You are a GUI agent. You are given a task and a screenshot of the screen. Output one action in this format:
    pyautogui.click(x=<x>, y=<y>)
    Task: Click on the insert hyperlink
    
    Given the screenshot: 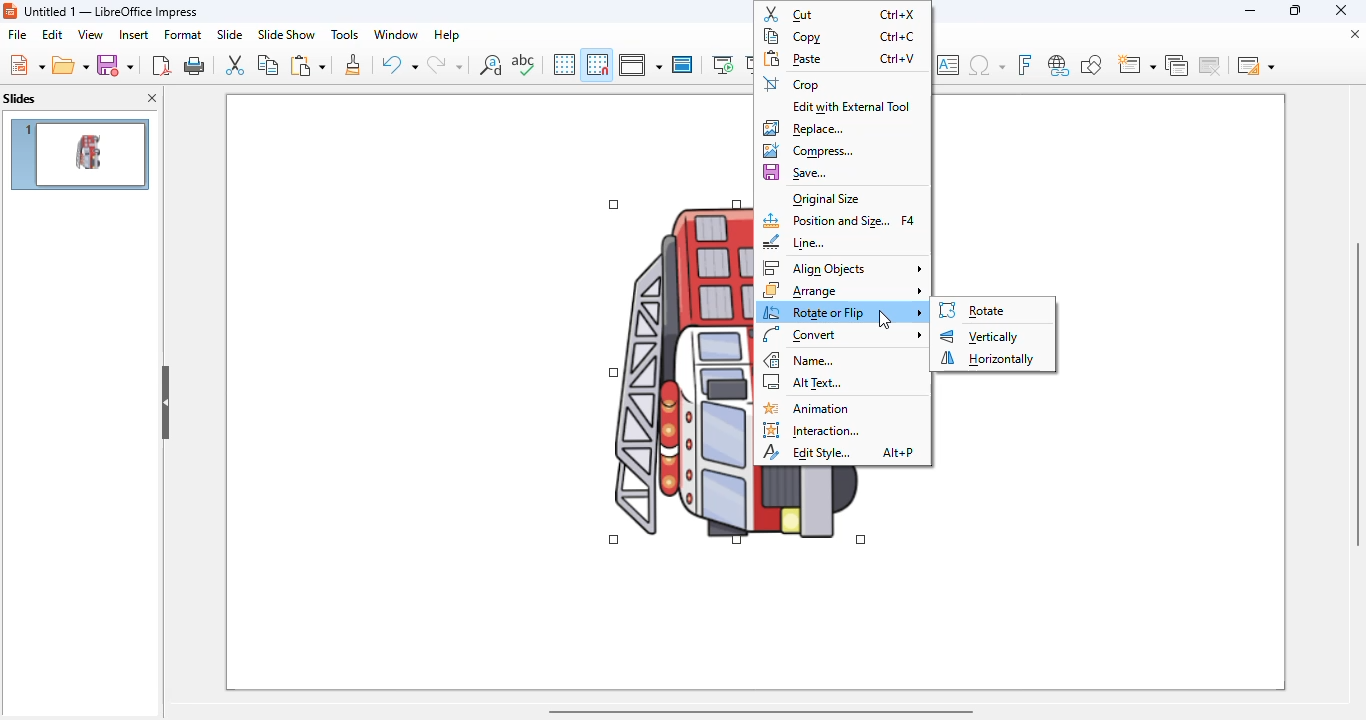 What is the action you would take?
    pyautogui.click(x=1059, y=65)
    